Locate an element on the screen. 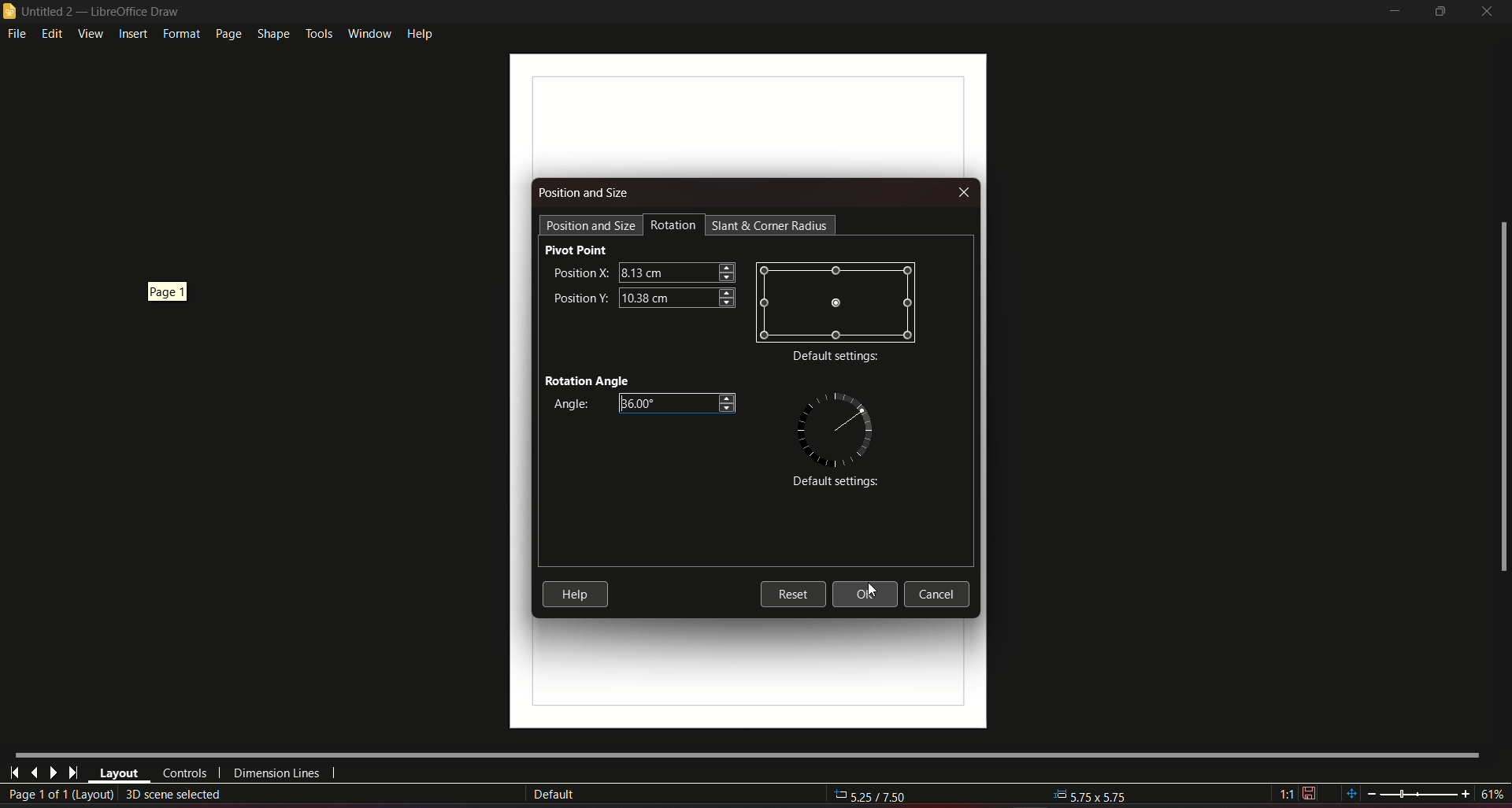 Image resolution: width=1512 pixels, height=808 pixels. close is located at coordinates (1488, 11).